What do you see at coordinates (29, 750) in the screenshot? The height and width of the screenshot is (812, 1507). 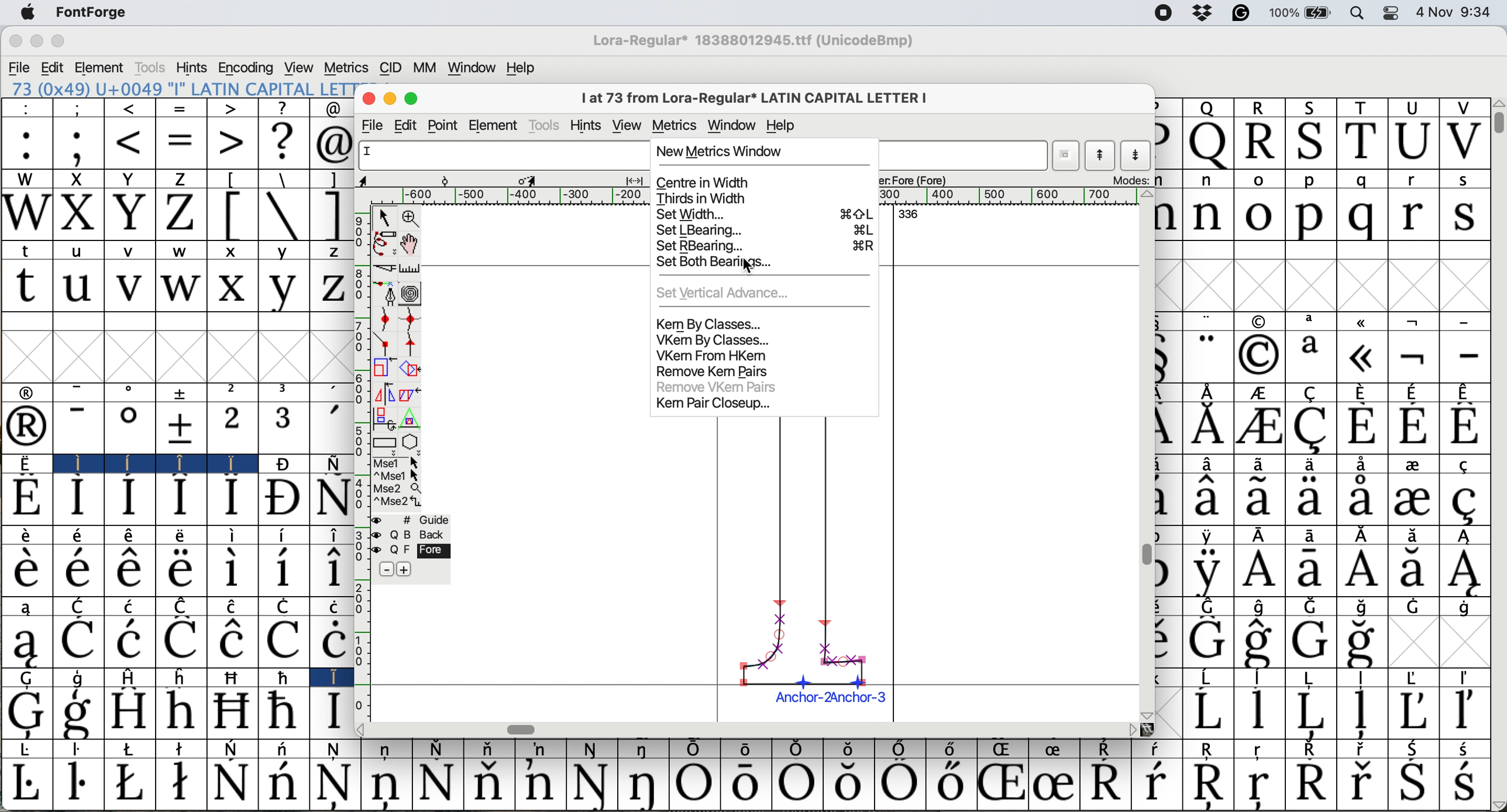 I see `Symbol` at bounding box center [29, 750].